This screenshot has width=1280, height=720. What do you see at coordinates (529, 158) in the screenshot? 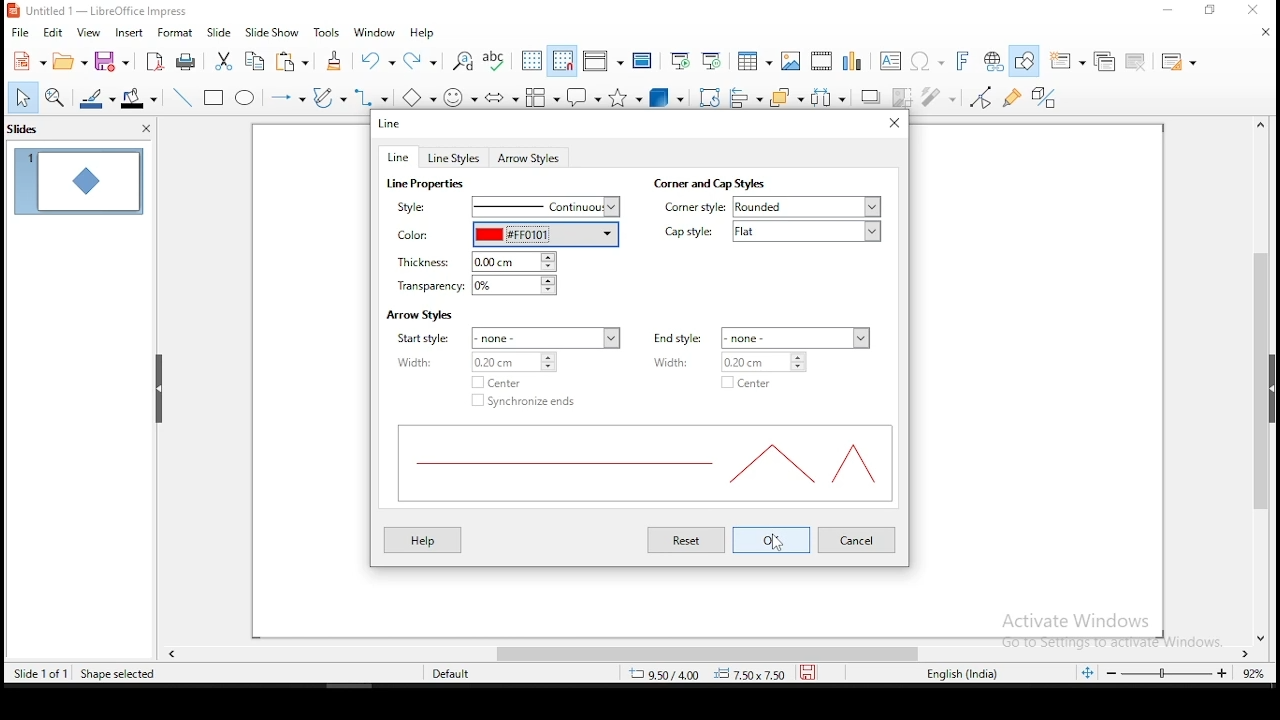
I see `arrow styles` at bounding box center [529, 158].